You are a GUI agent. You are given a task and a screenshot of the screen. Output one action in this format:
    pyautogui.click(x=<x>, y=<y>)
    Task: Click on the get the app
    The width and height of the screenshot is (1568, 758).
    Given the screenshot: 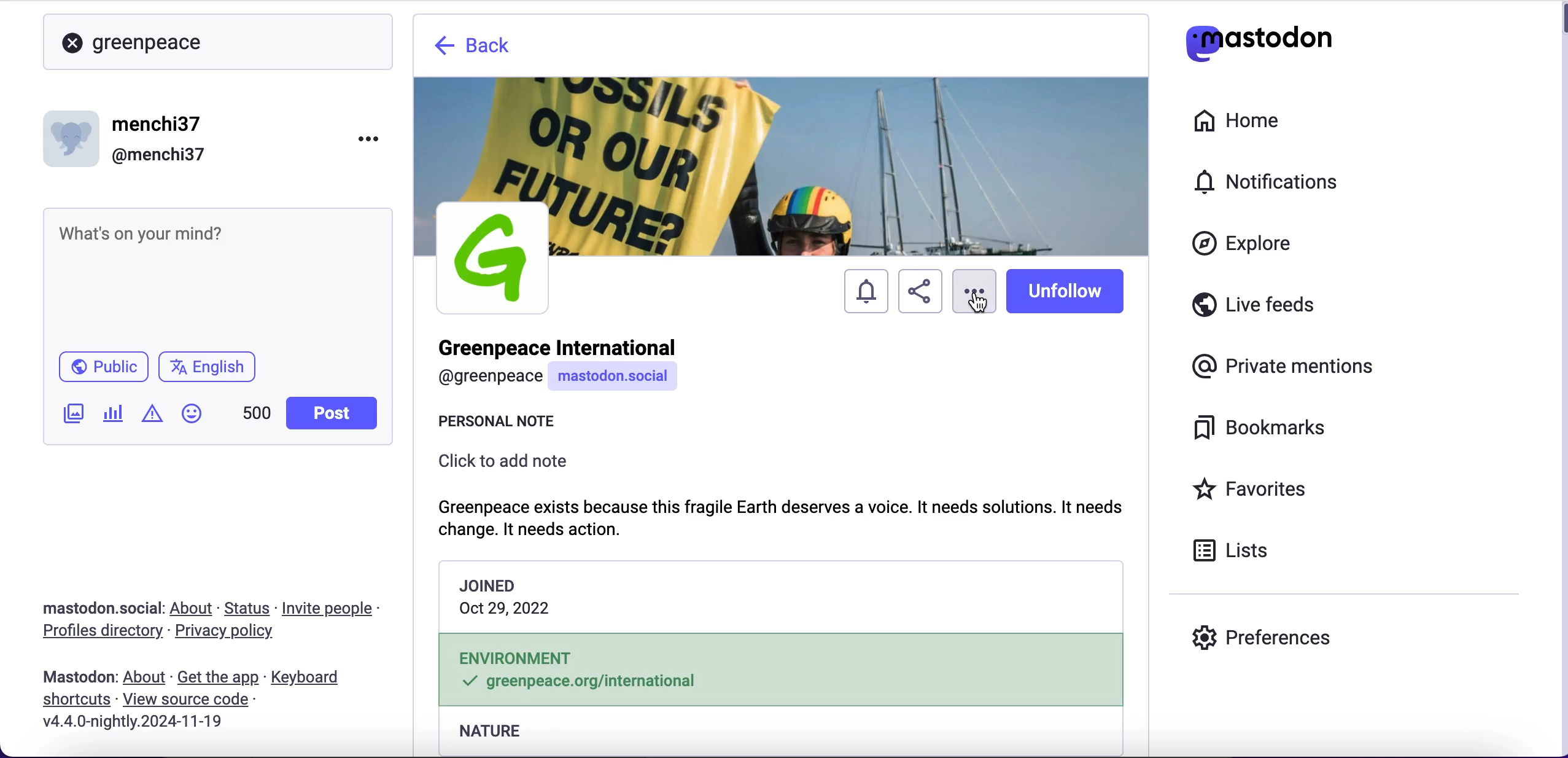 What is the action you would take?
    pyautogui.click(x=217, y=677)
    